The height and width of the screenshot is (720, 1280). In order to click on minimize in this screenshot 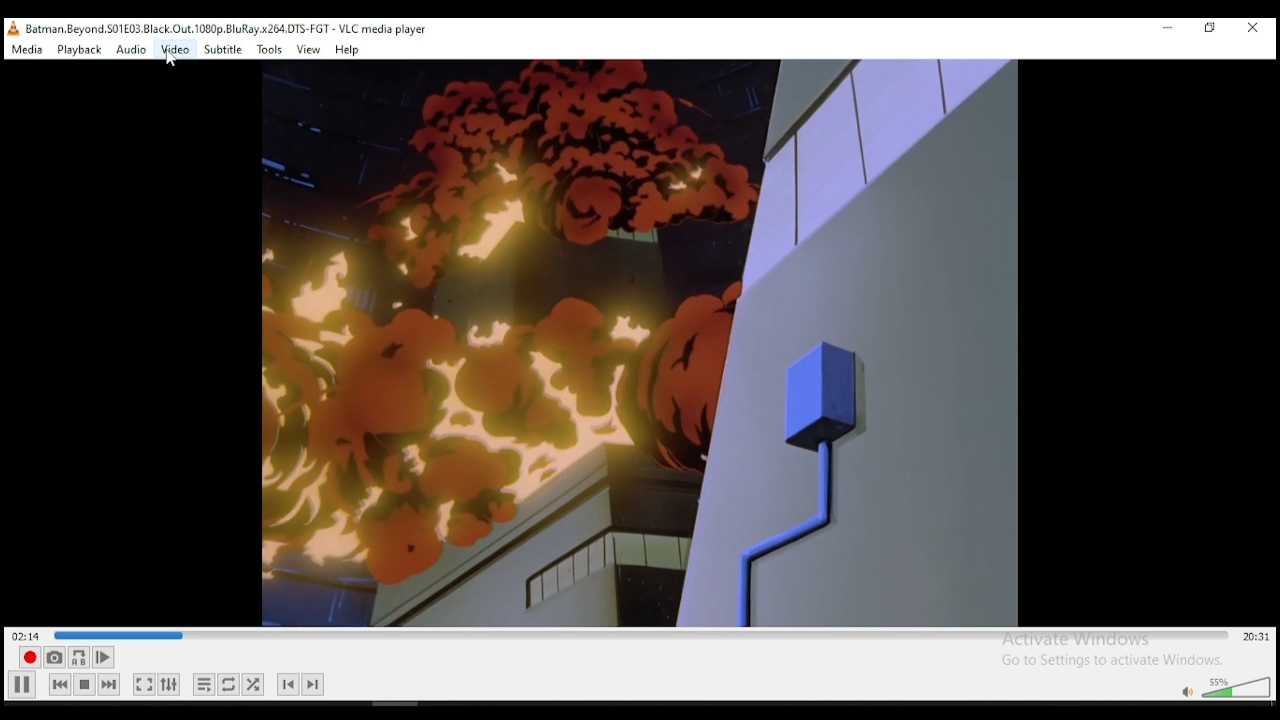, I will do `click(1163, 30)`.